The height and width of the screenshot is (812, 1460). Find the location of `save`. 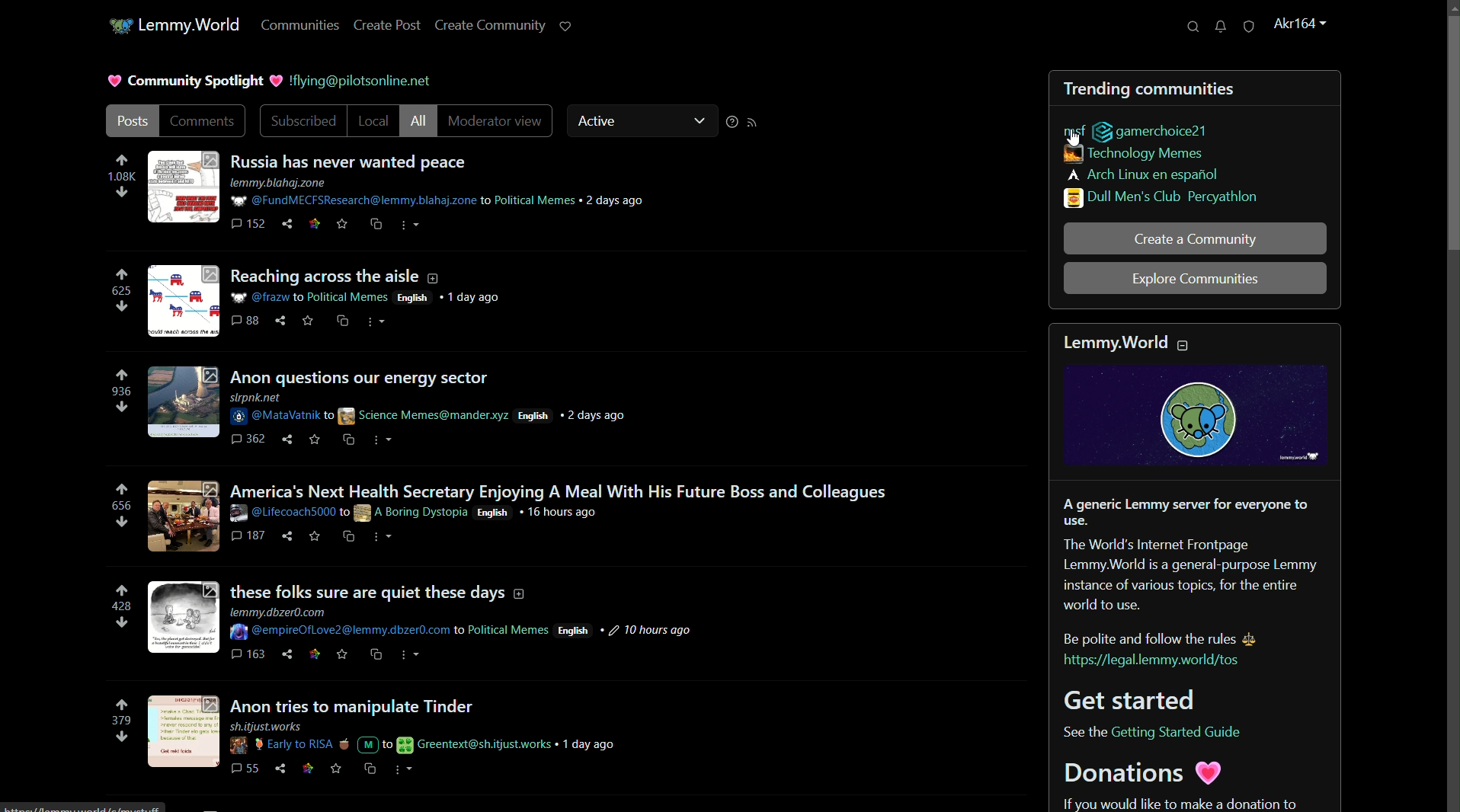

save is located at coordinates (335, 769).